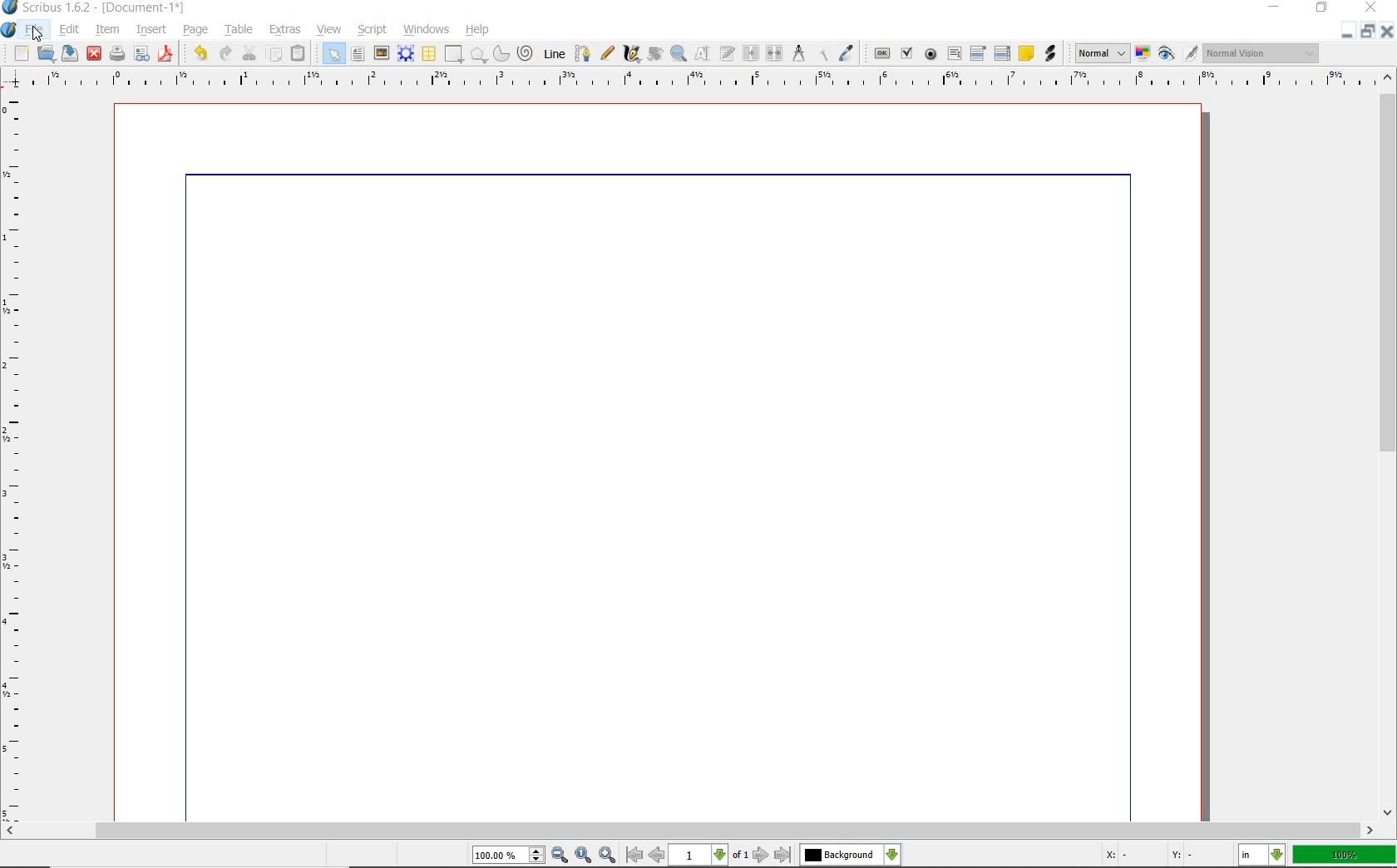 This screenshot has width=1397, height=868. I want to click on close, so click(95, 55).